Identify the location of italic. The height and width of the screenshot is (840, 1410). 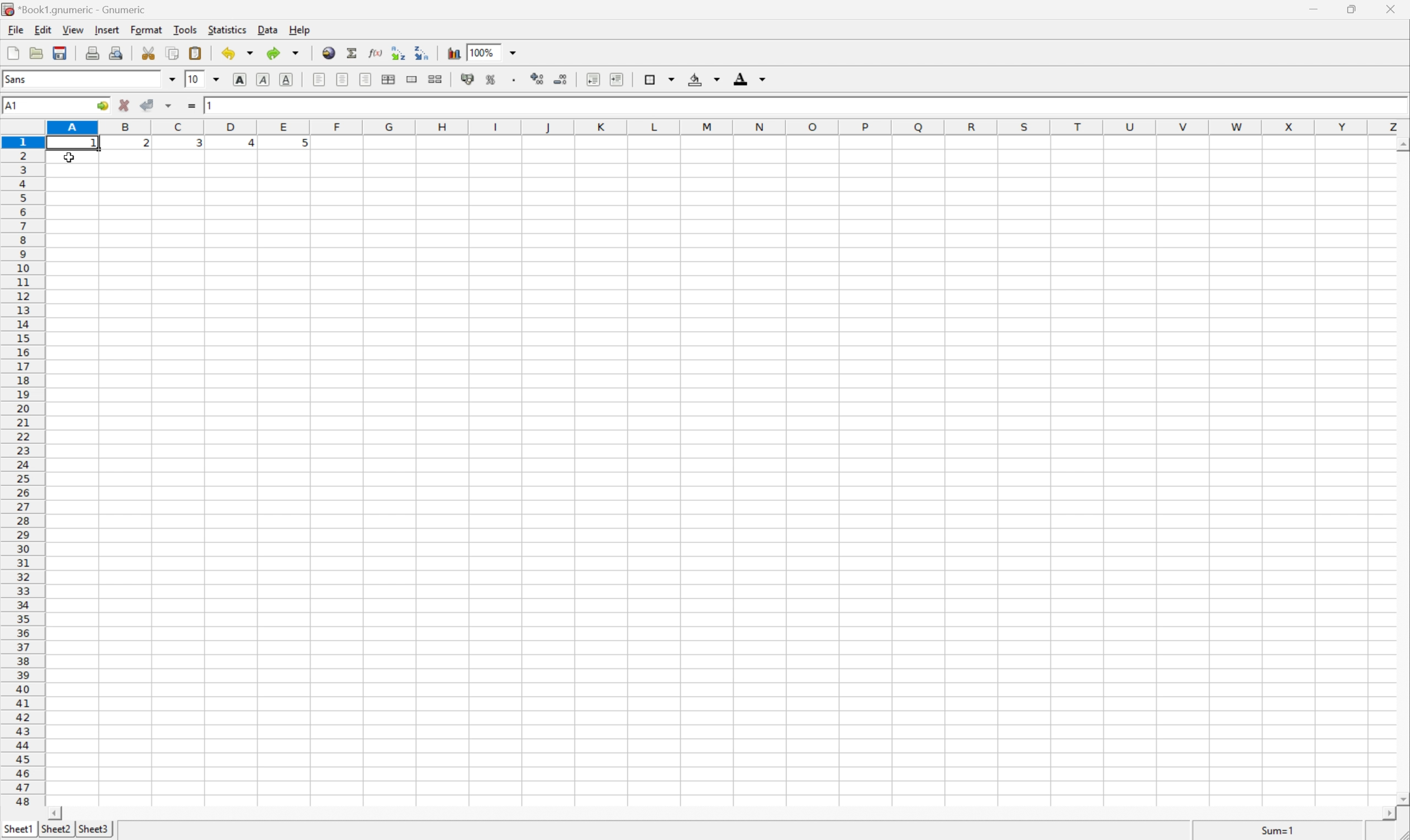
(264, 79).